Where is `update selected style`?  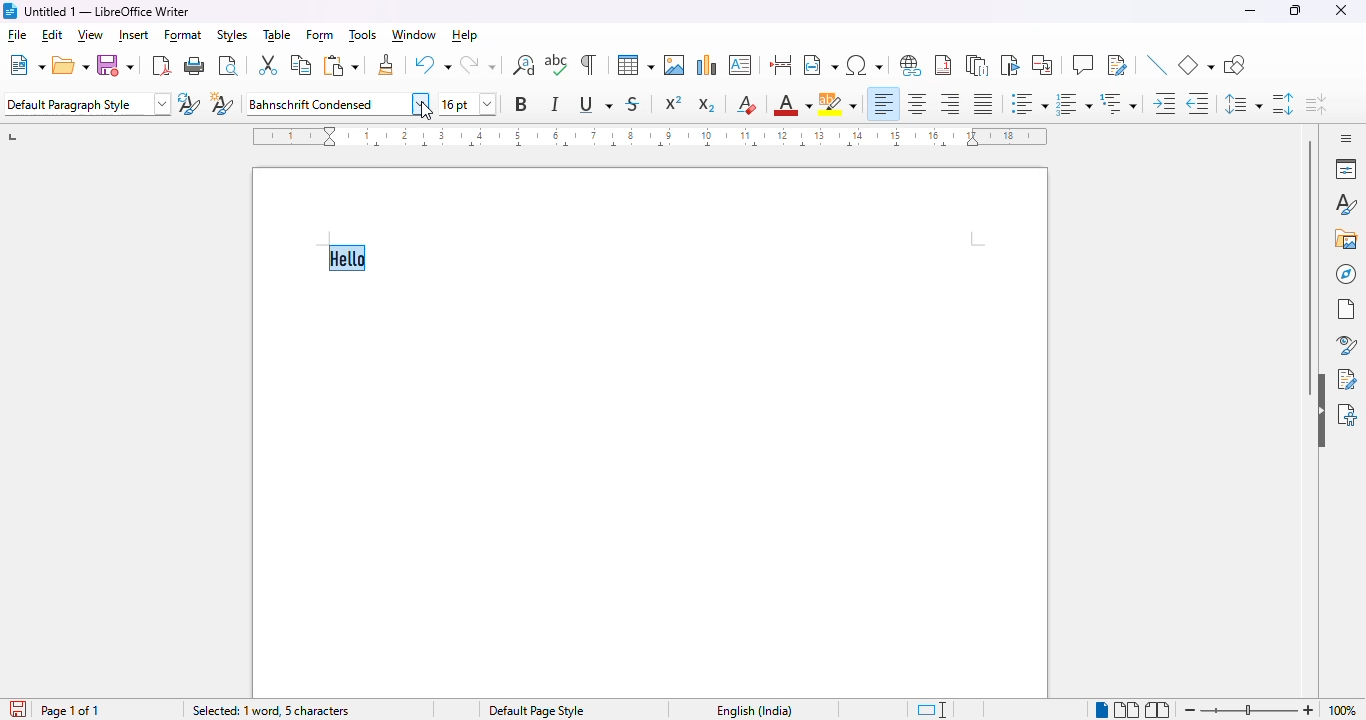 update selected style is located at coordinates (190, 104).